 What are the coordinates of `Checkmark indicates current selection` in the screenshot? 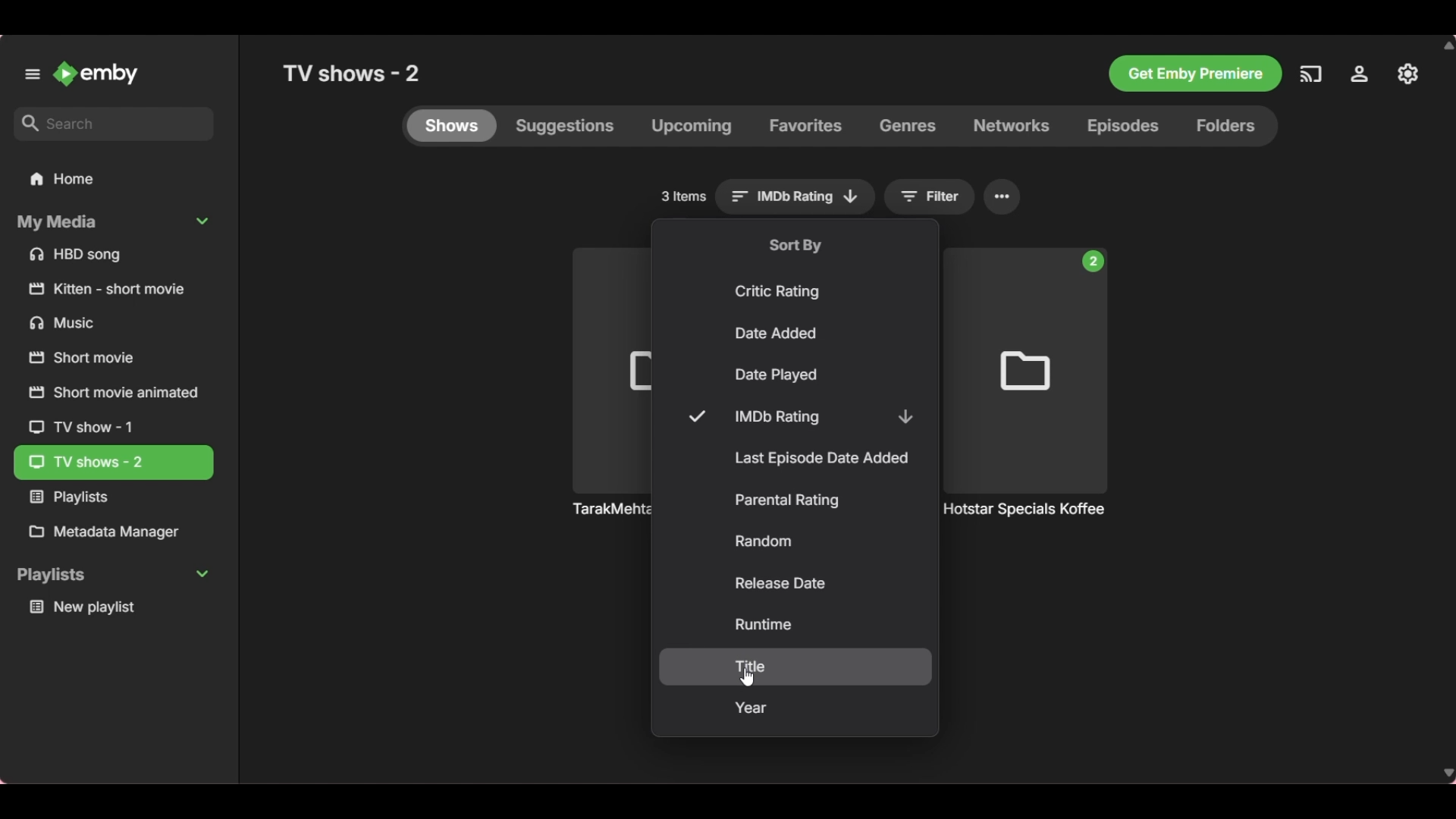 It's located at (696, 416).